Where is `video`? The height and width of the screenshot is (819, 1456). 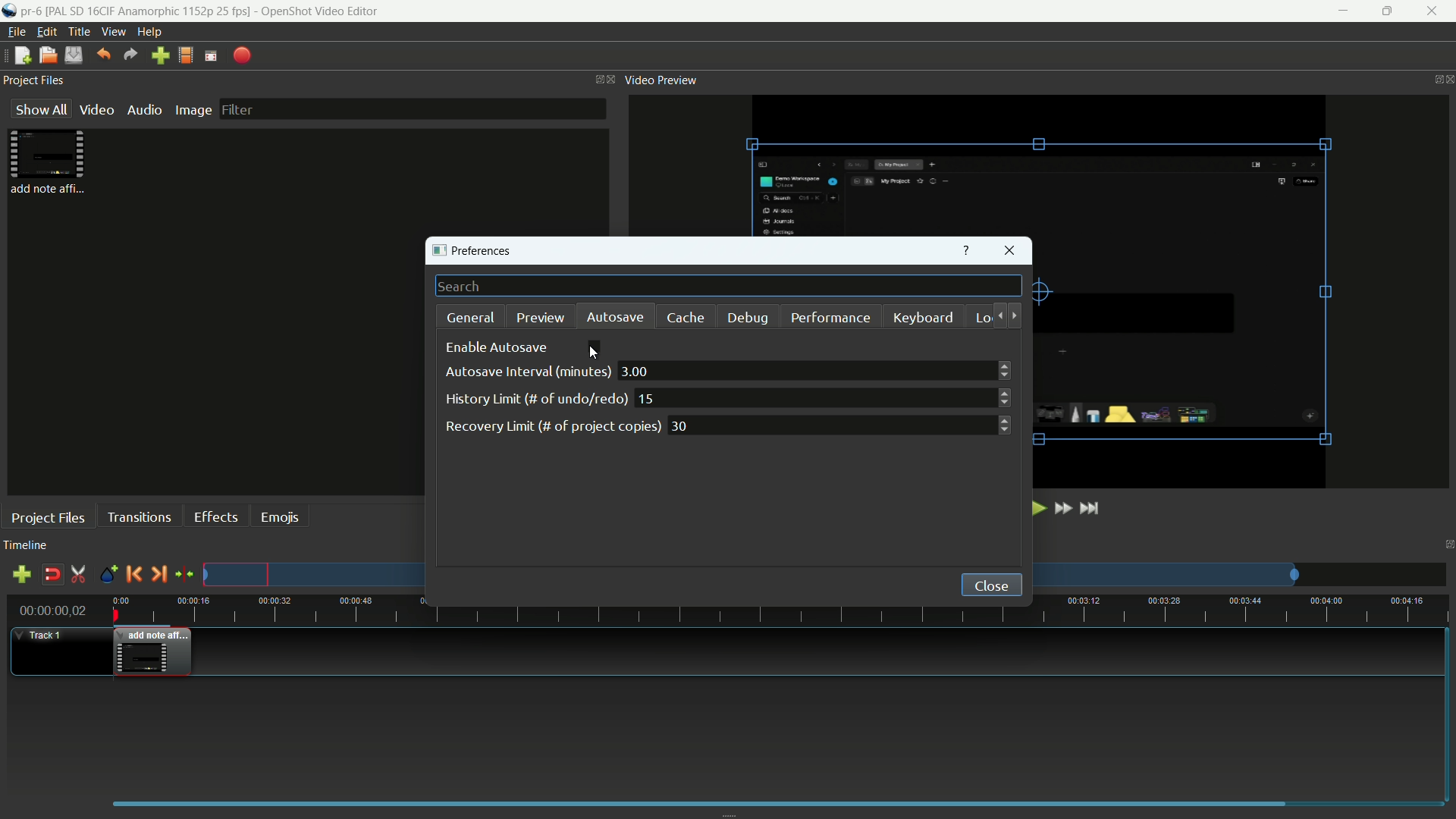
video is located at coordinates (96, 110).